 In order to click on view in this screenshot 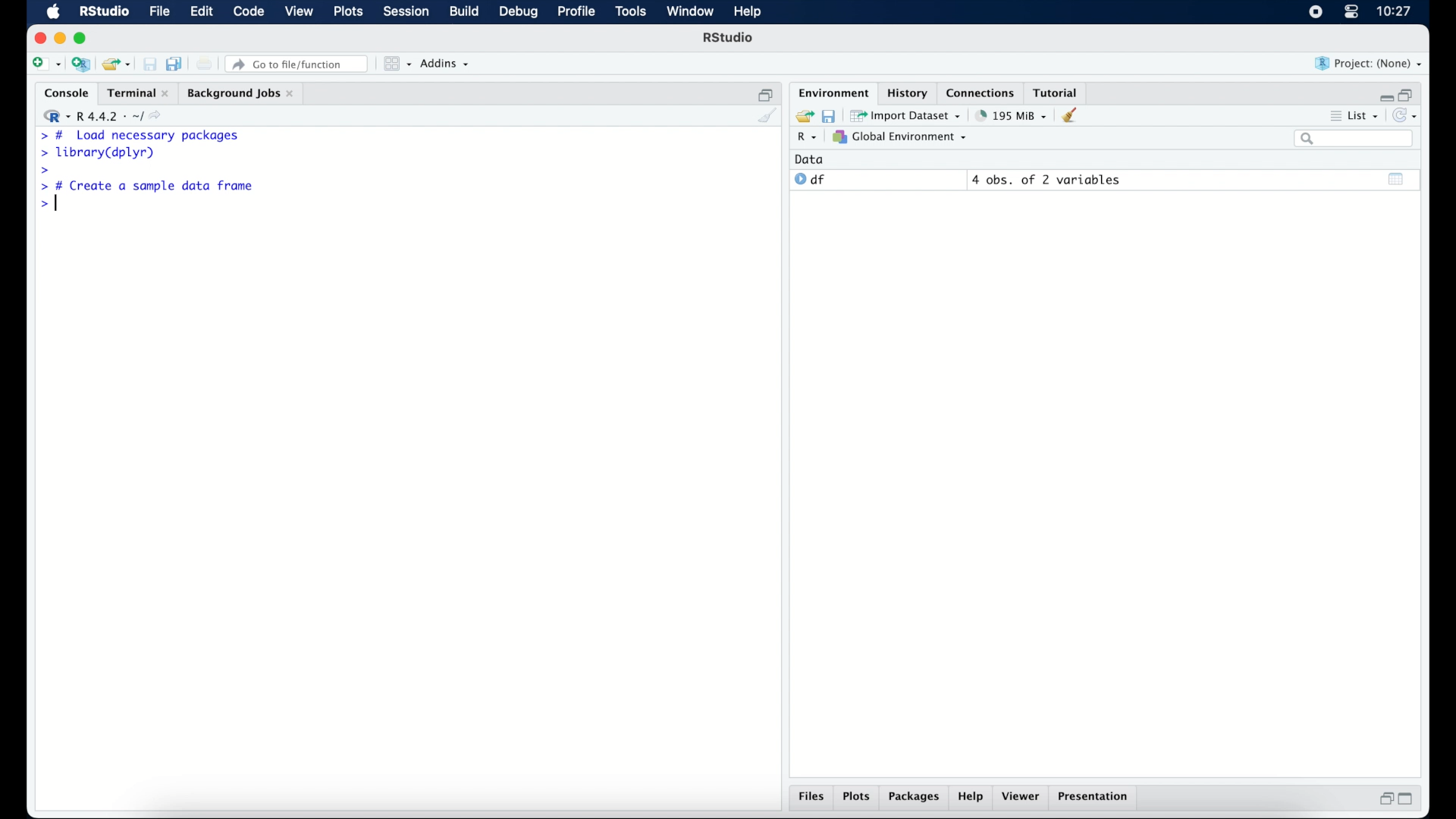, I will do `click(300, 13)`.